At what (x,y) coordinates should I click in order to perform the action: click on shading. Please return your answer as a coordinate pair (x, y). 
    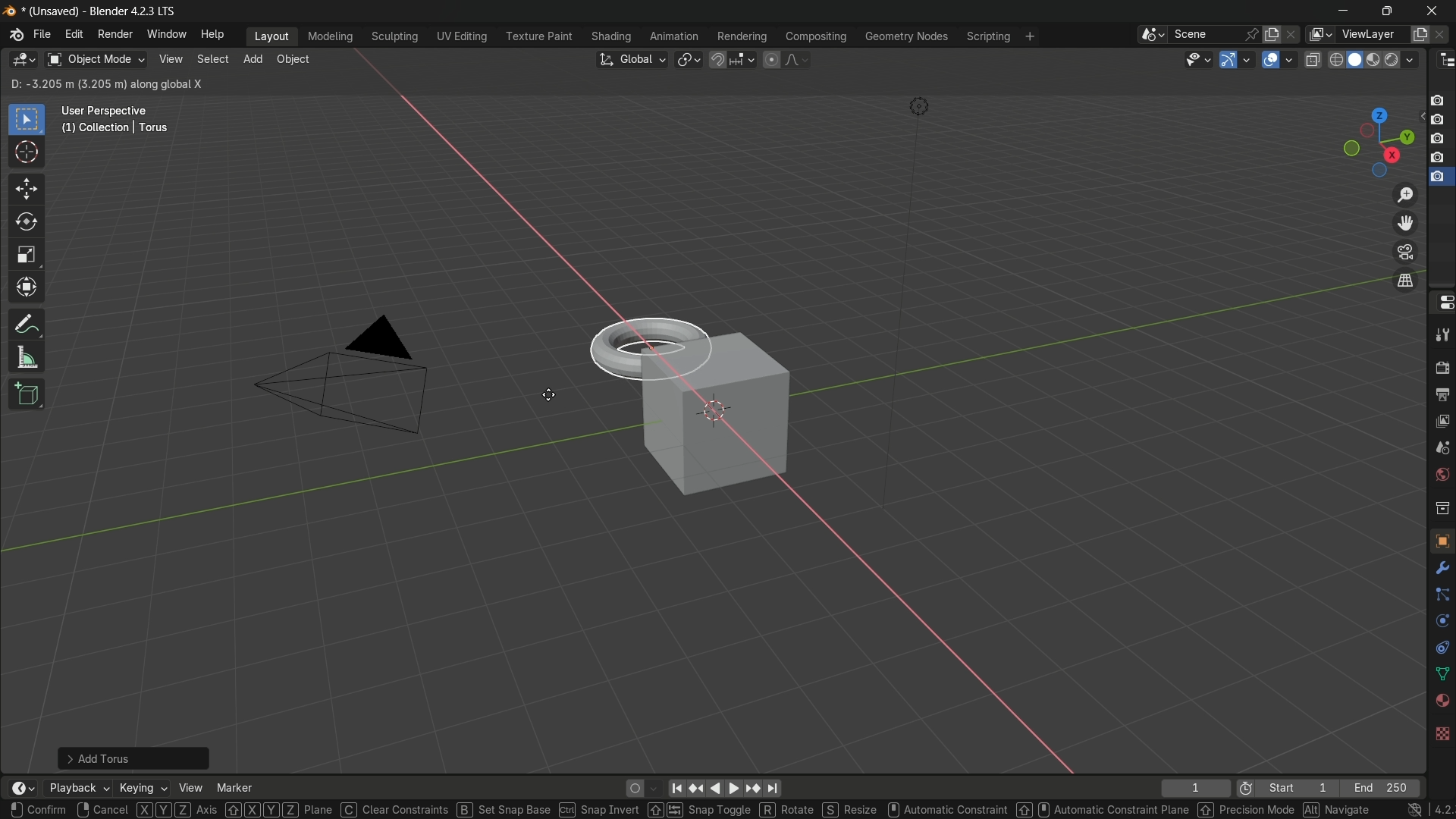
    Looking at the image, I should click on (610, 36).